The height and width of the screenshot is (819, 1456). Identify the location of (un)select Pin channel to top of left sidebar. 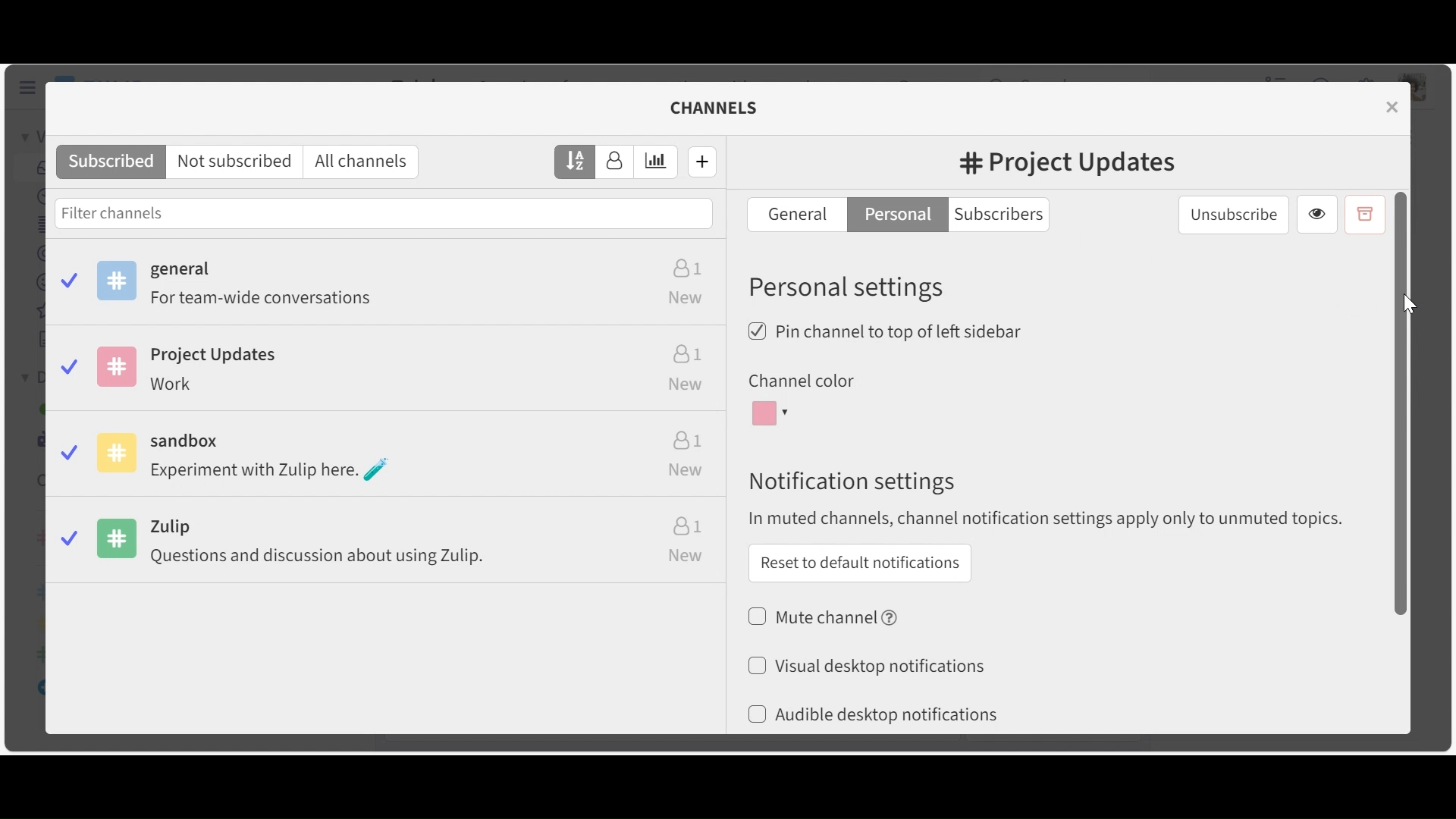
(886, 331).